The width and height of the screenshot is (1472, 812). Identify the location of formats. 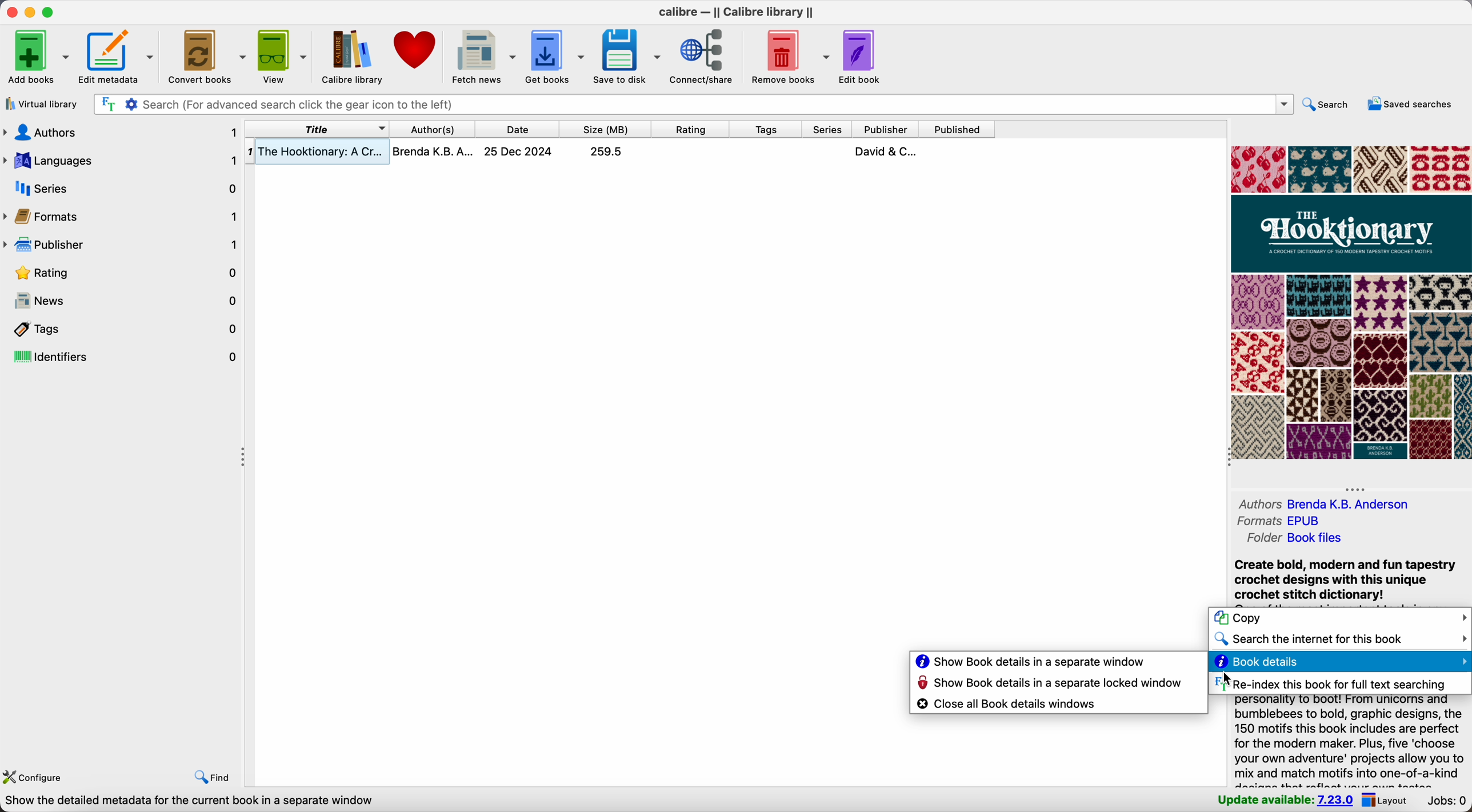
(1283, 522).